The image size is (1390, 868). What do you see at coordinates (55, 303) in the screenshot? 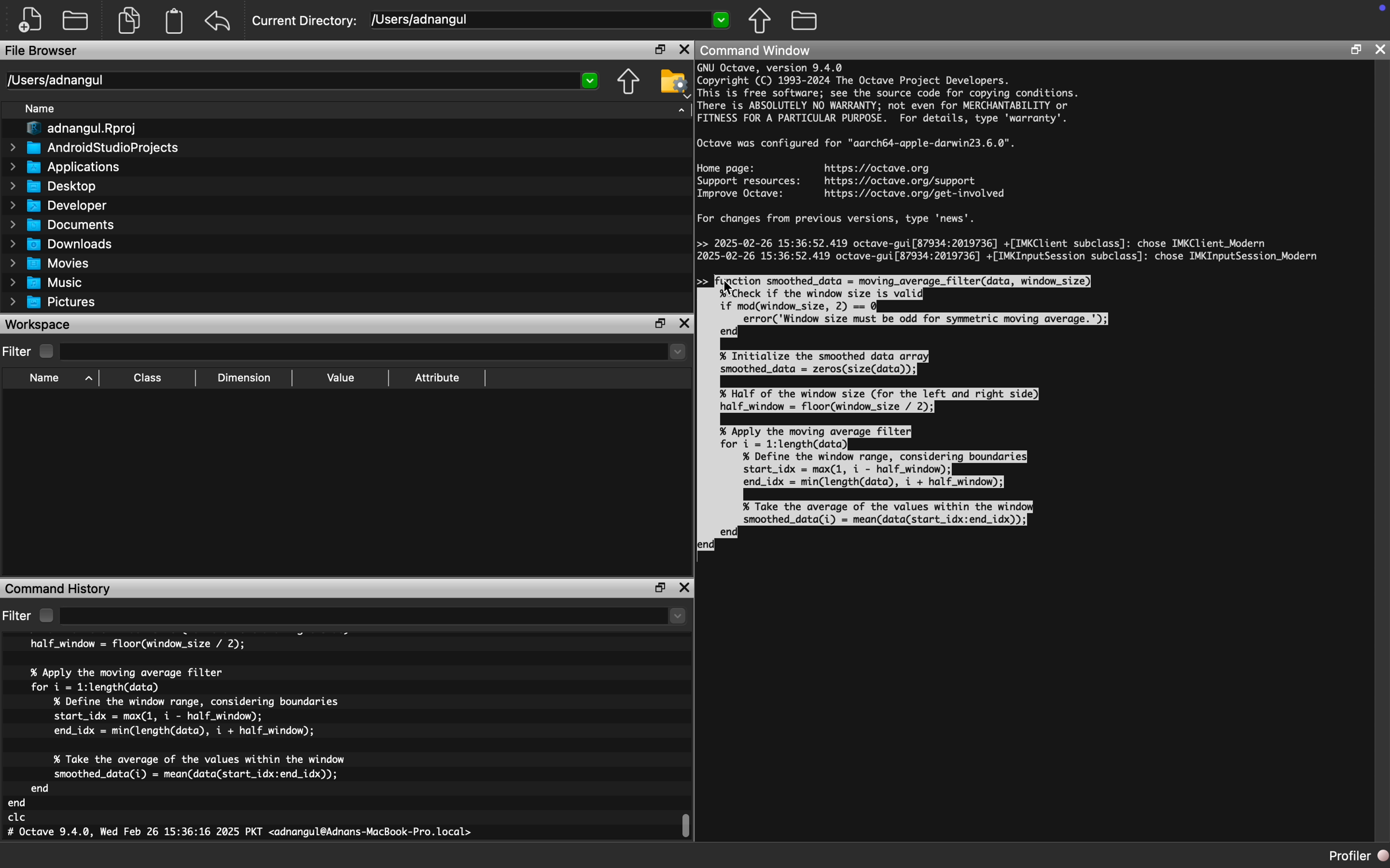
I see `Pictures` at bounding box center [55, 303].